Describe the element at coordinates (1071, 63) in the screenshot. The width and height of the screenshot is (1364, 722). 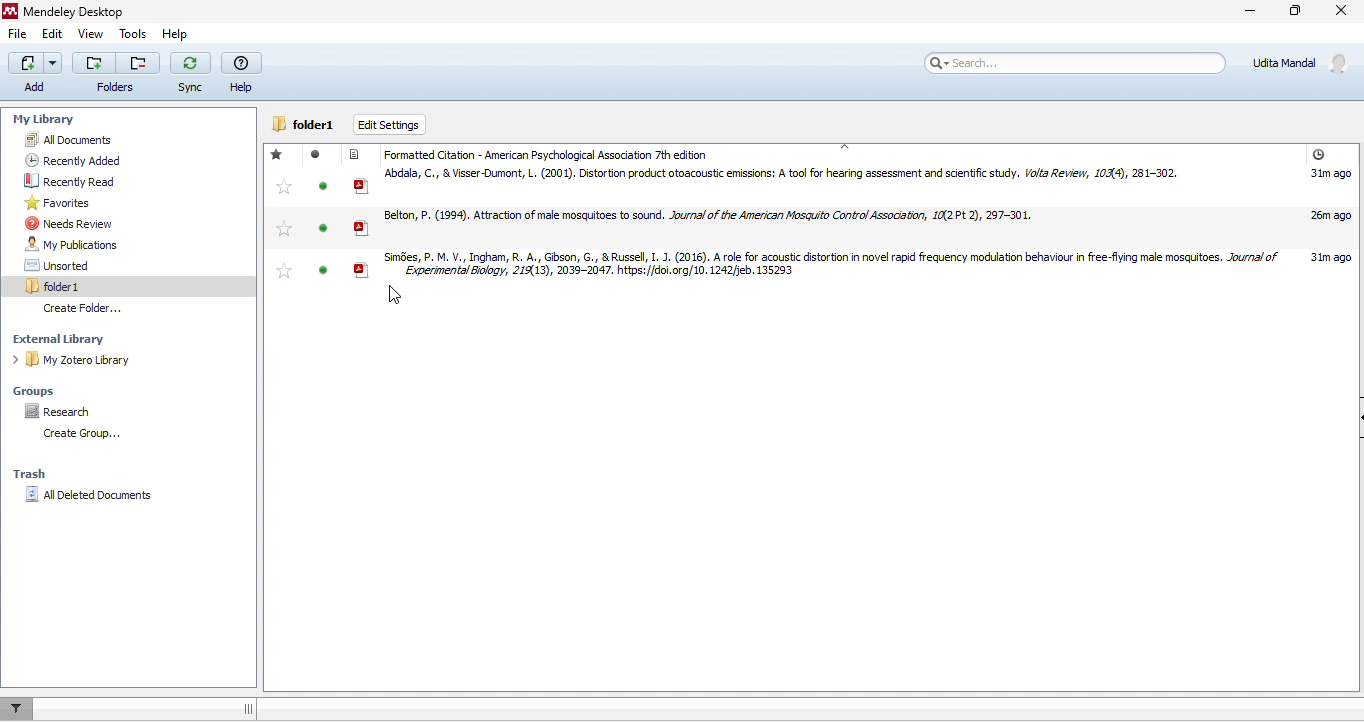
I see `search` at that location.